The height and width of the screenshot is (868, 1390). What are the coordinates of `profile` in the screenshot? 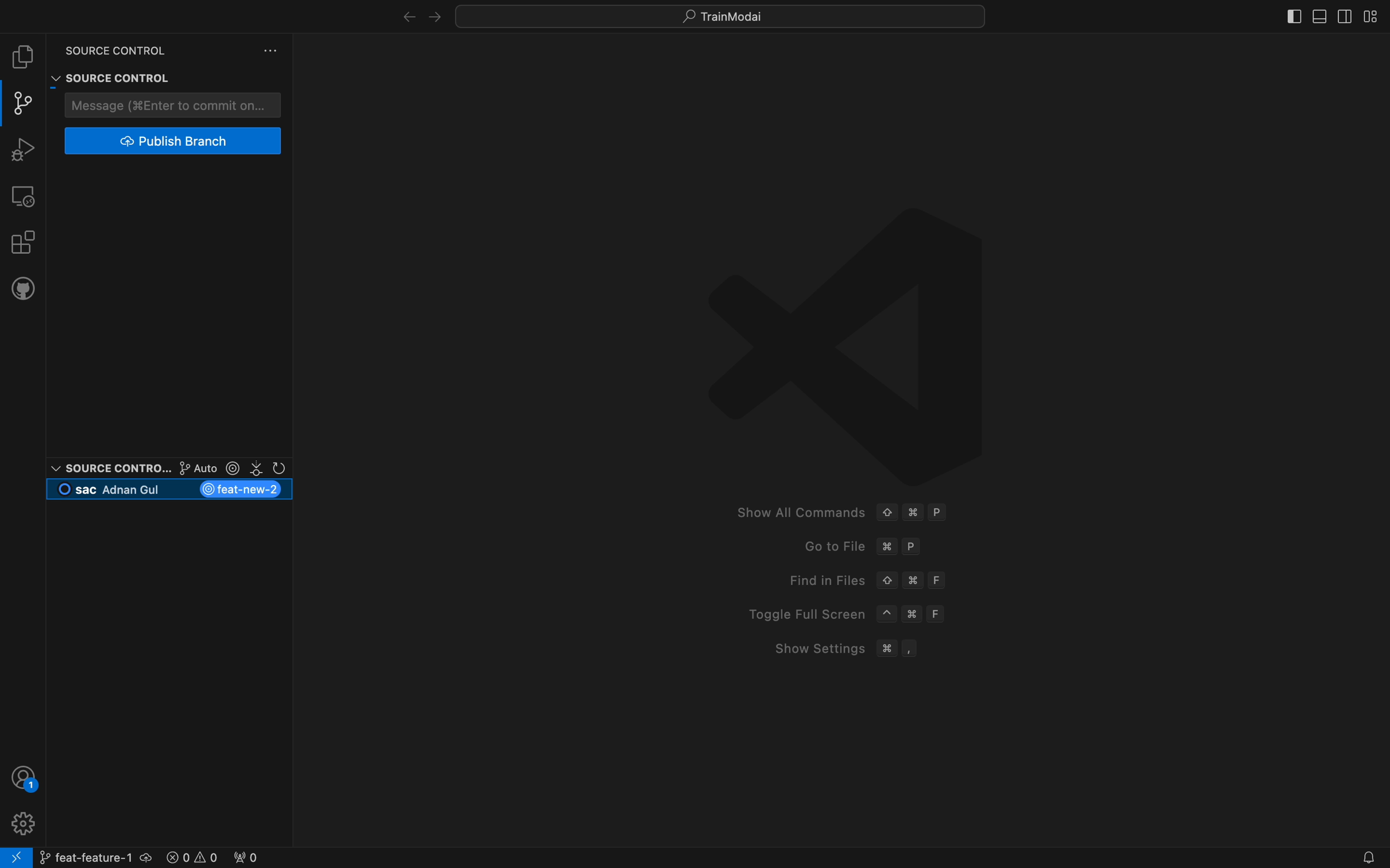 It's located at (21, 822).